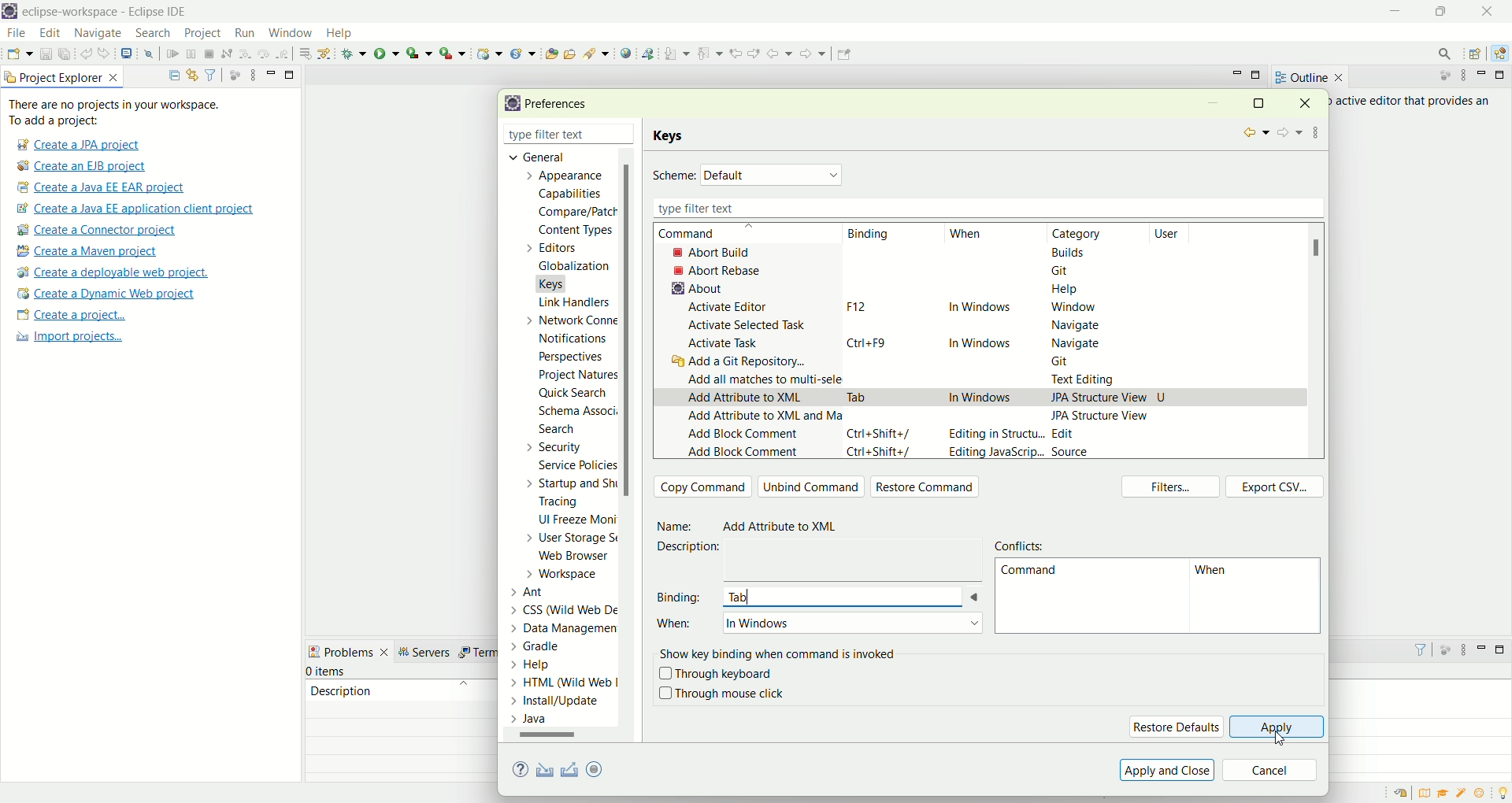 The width and height of the screenshot is (1512, 803). Describe the element at coordinates (580, 413) in the screenshot. I see `schema association` at that location.